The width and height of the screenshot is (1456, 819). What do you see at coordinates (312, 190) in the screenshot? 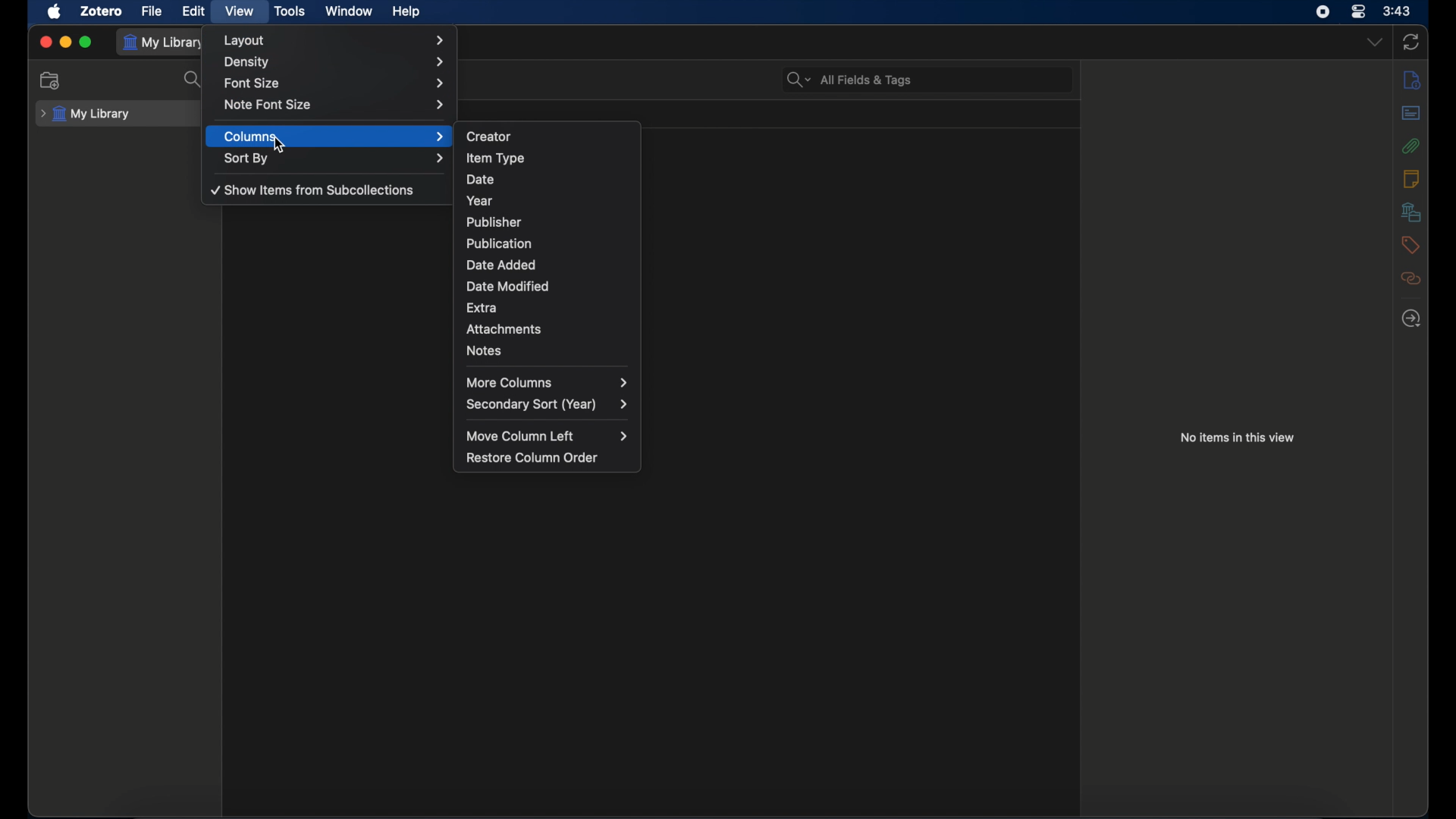
I see `show items from subcollections` at bounding box center [312, 190].